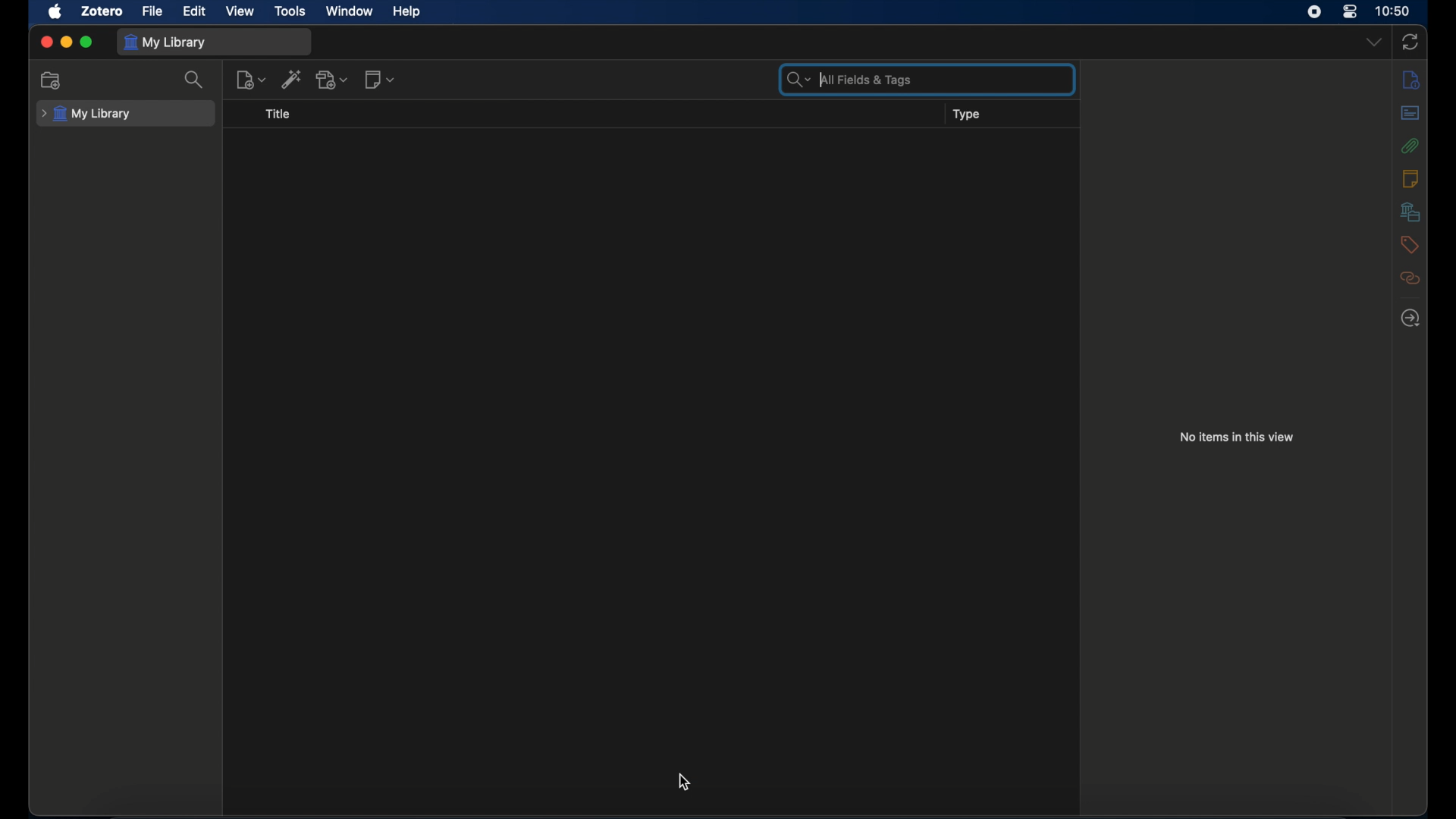  What do you see at coordinates (381, 79) in the screenshot?
I see `new items` at bounding box center [381, 79].